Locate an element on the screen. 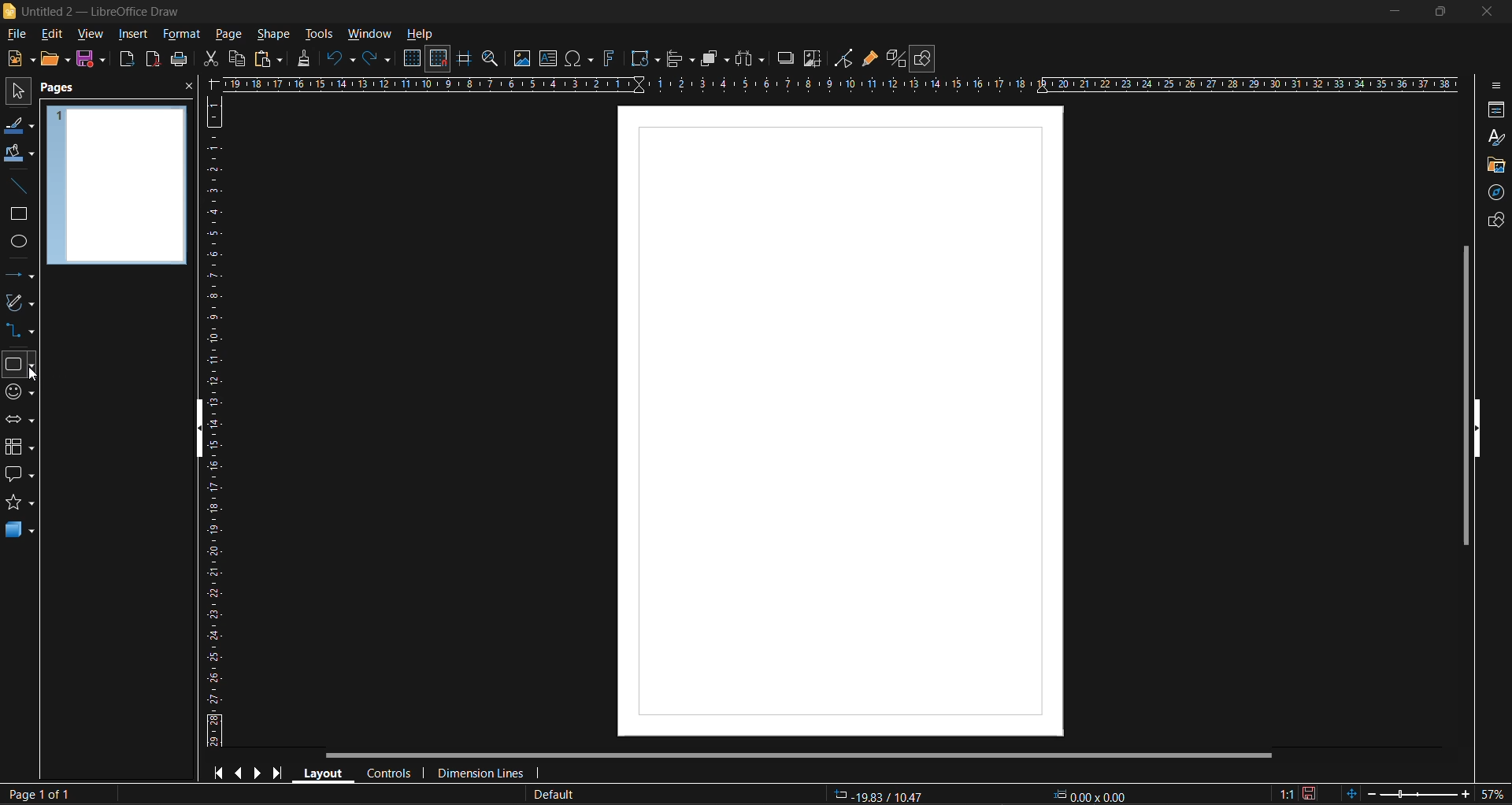 This screenshot has height=805, width=1512. undo is located at coordinates (342, 60).